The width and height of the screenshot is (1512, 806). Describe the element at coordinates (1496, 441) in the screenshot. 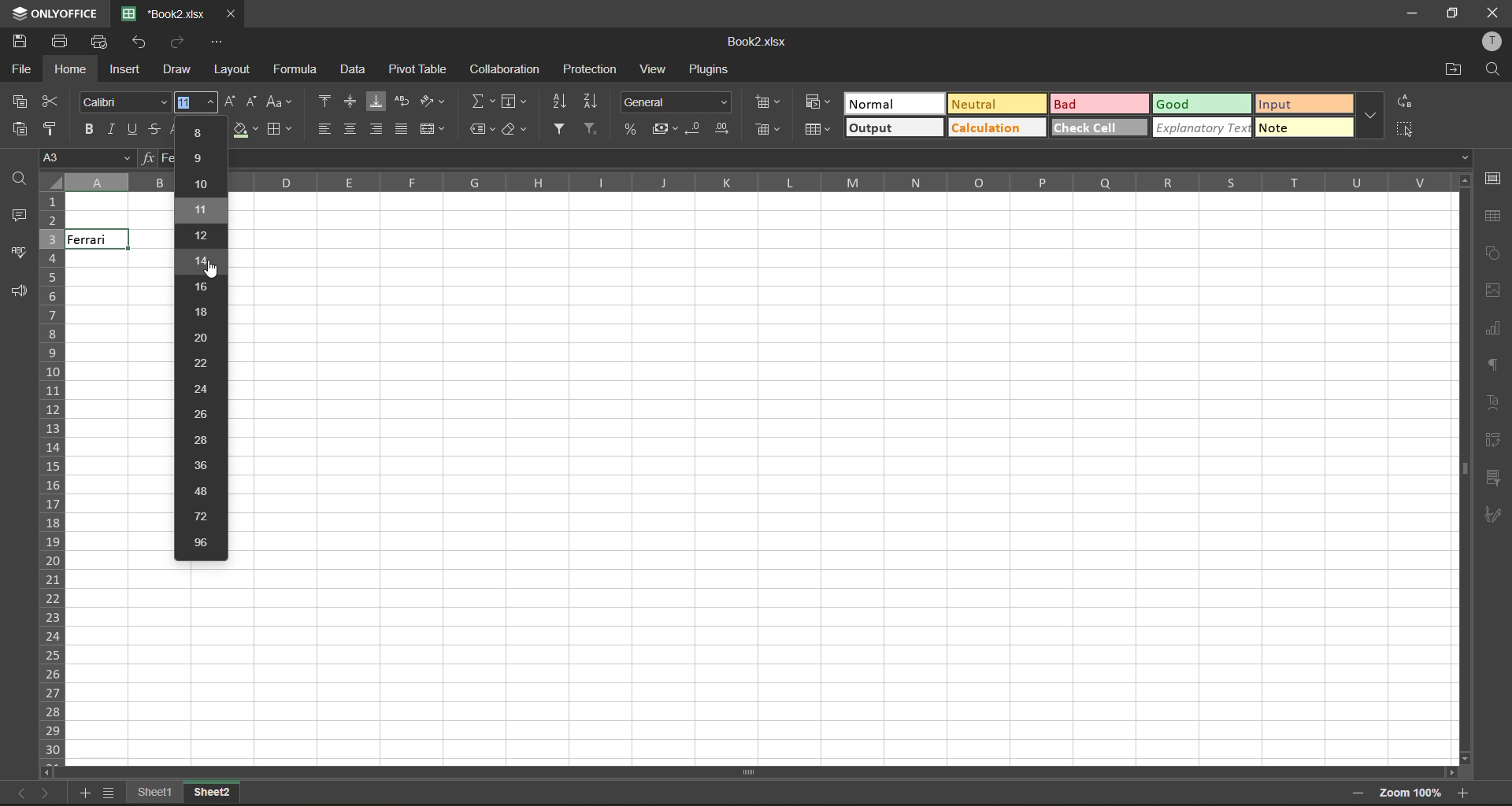

I see `pivot table` at that location.